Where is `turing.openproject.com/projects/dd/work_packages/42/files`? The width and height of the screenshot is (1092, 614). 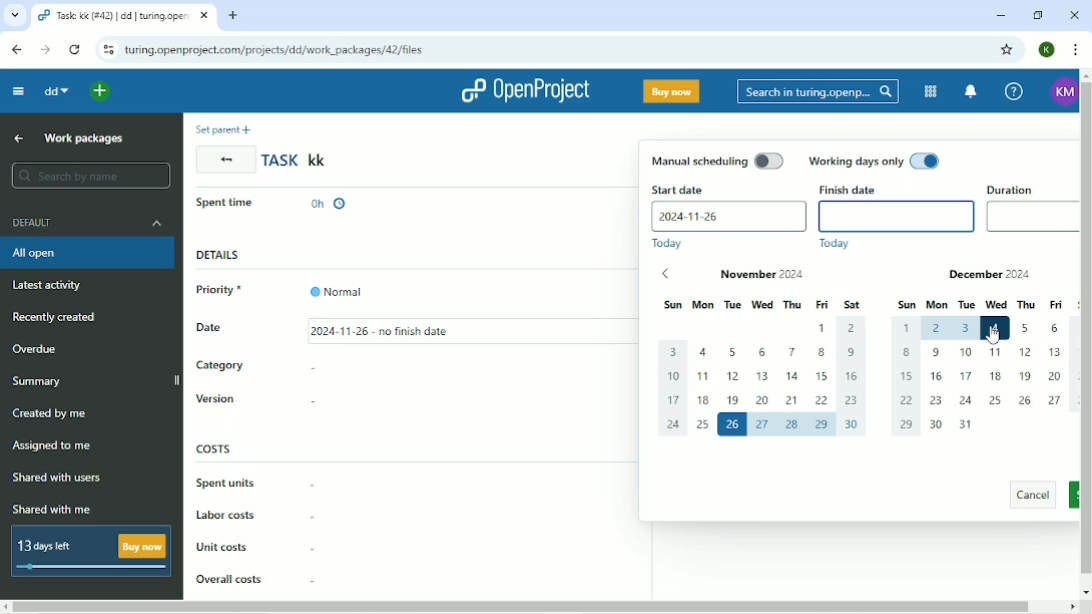 turing.openproject.com/projects/dd/work_packages/42/files is located at coordinates (277, 50).